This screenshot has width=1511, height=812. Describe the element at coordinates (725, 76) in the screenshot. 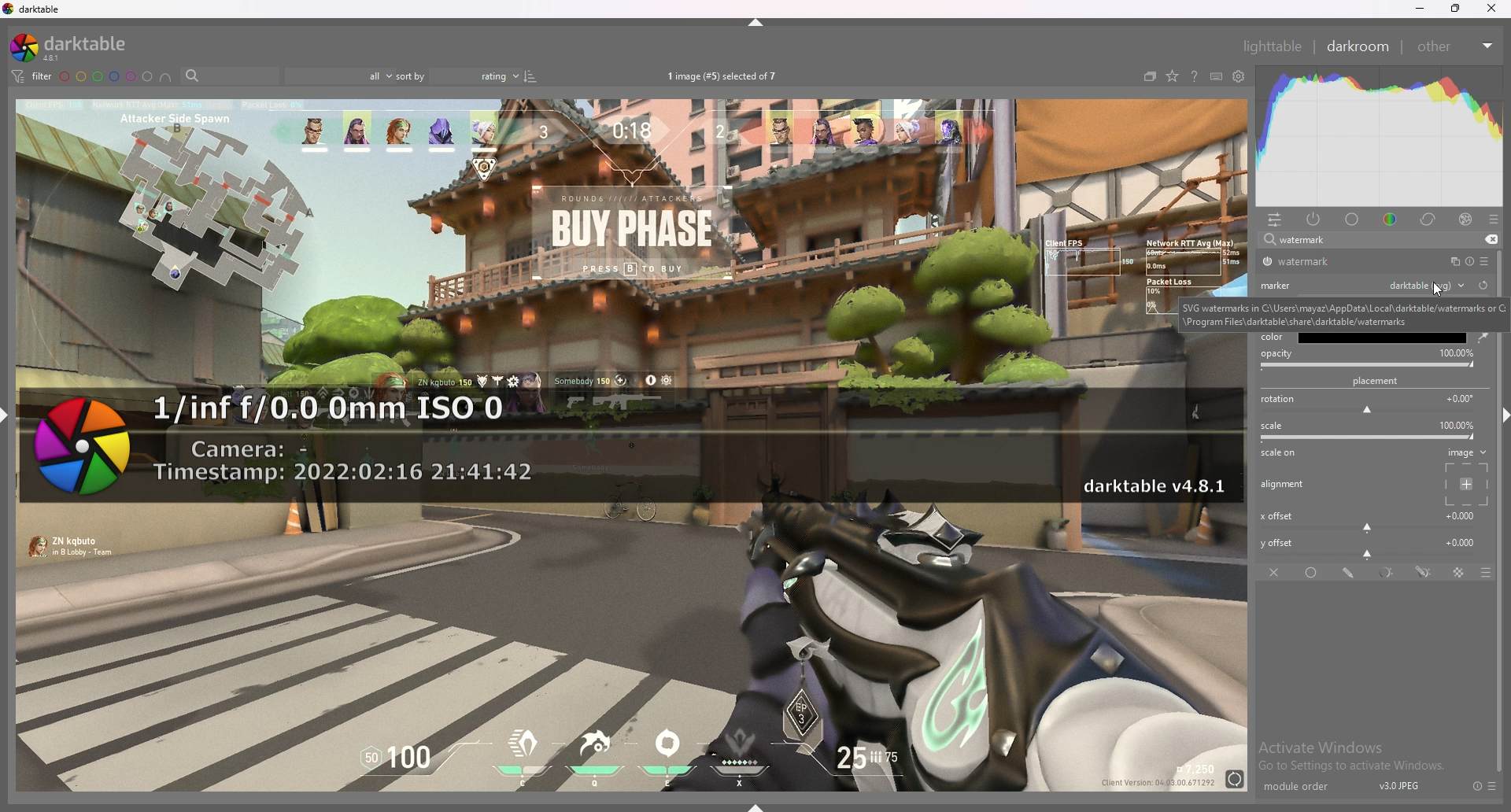

I see `images selected` at that location.